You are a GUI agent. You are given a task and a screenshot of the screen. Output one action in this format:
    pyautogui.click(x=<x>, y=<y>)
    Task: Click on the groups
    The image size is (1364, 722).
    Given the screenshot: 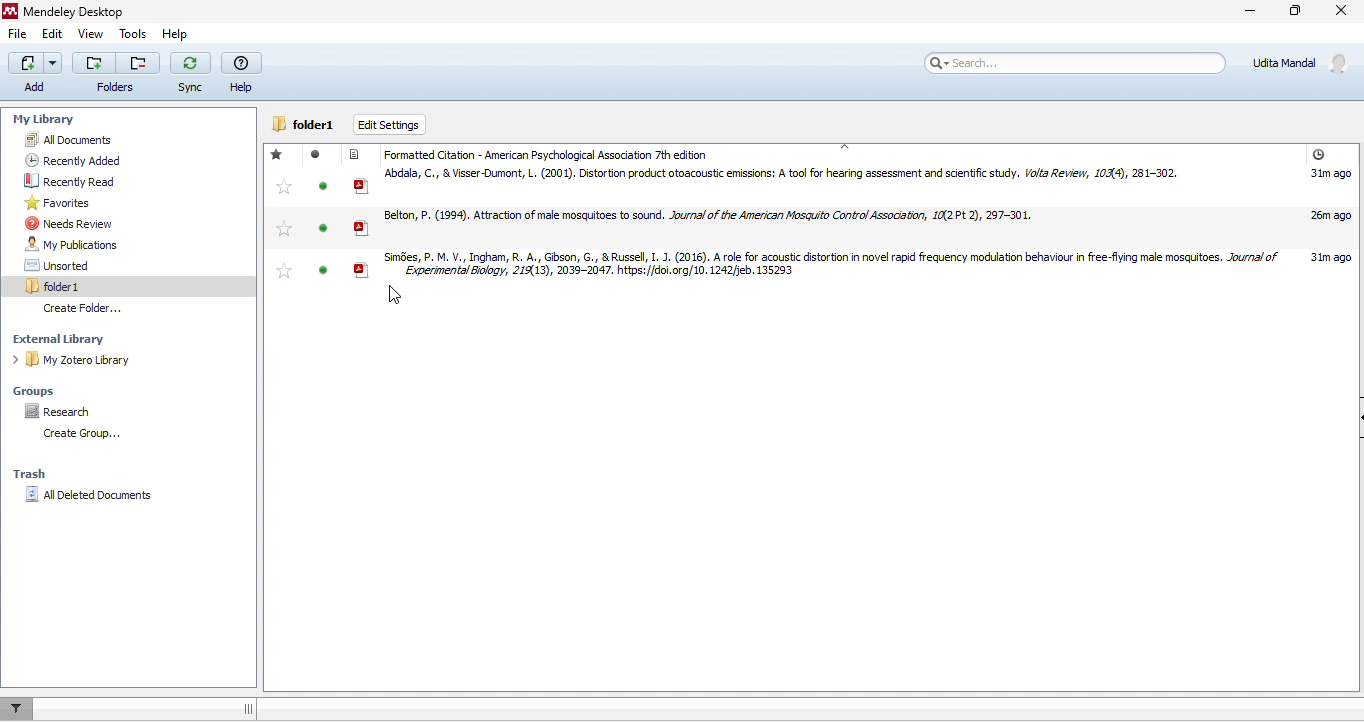 What is the action you would take?
    pyautogui.click(x=56, y=386)
    